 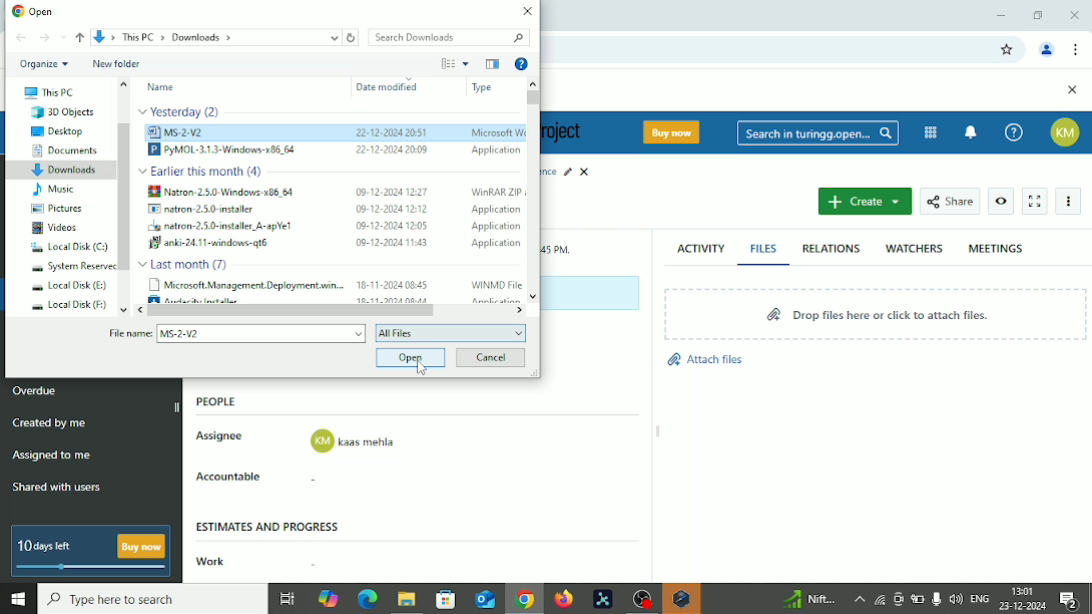 What do you see at coordinates (94, 569) in the screenshot?
I see `slide bar indicating how many days left for free version` at bounding box center [94, 569].